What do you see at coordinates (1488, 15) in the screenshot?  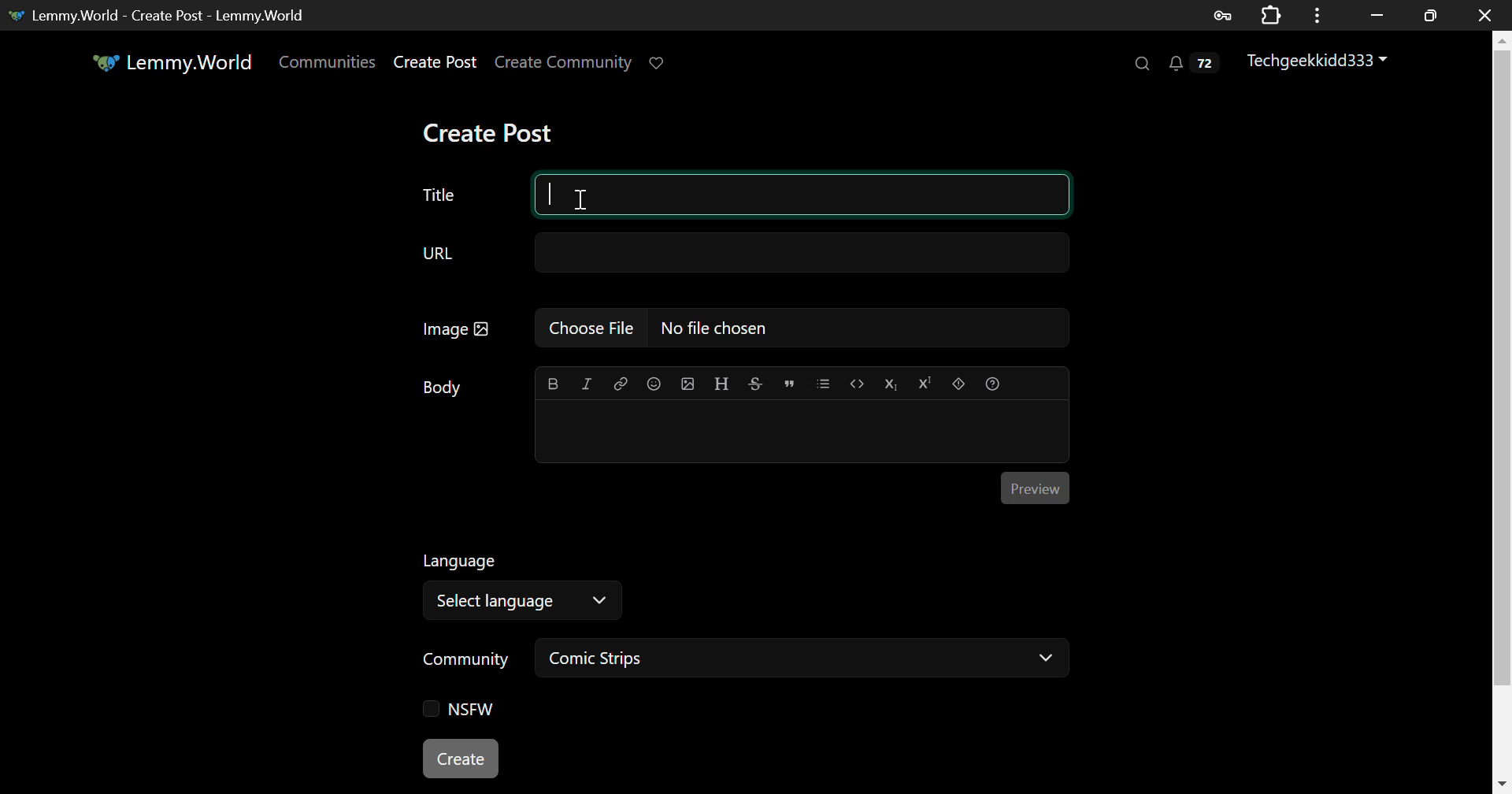 I see `Close Window` at bounding box center [1488, 15].